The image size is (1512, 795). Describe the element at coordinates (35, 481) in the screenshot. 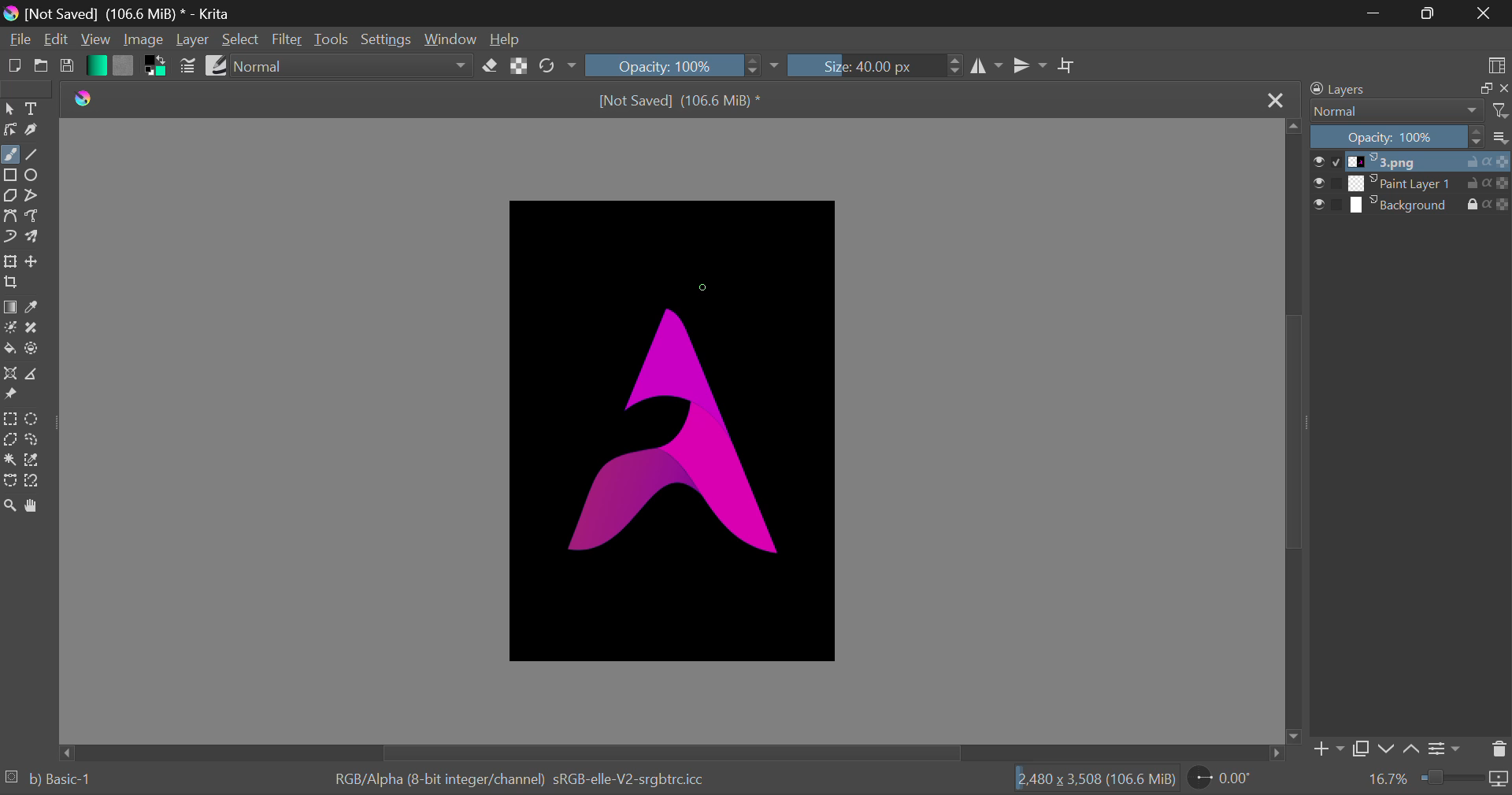

I see `Magnetic Selection` at that location.